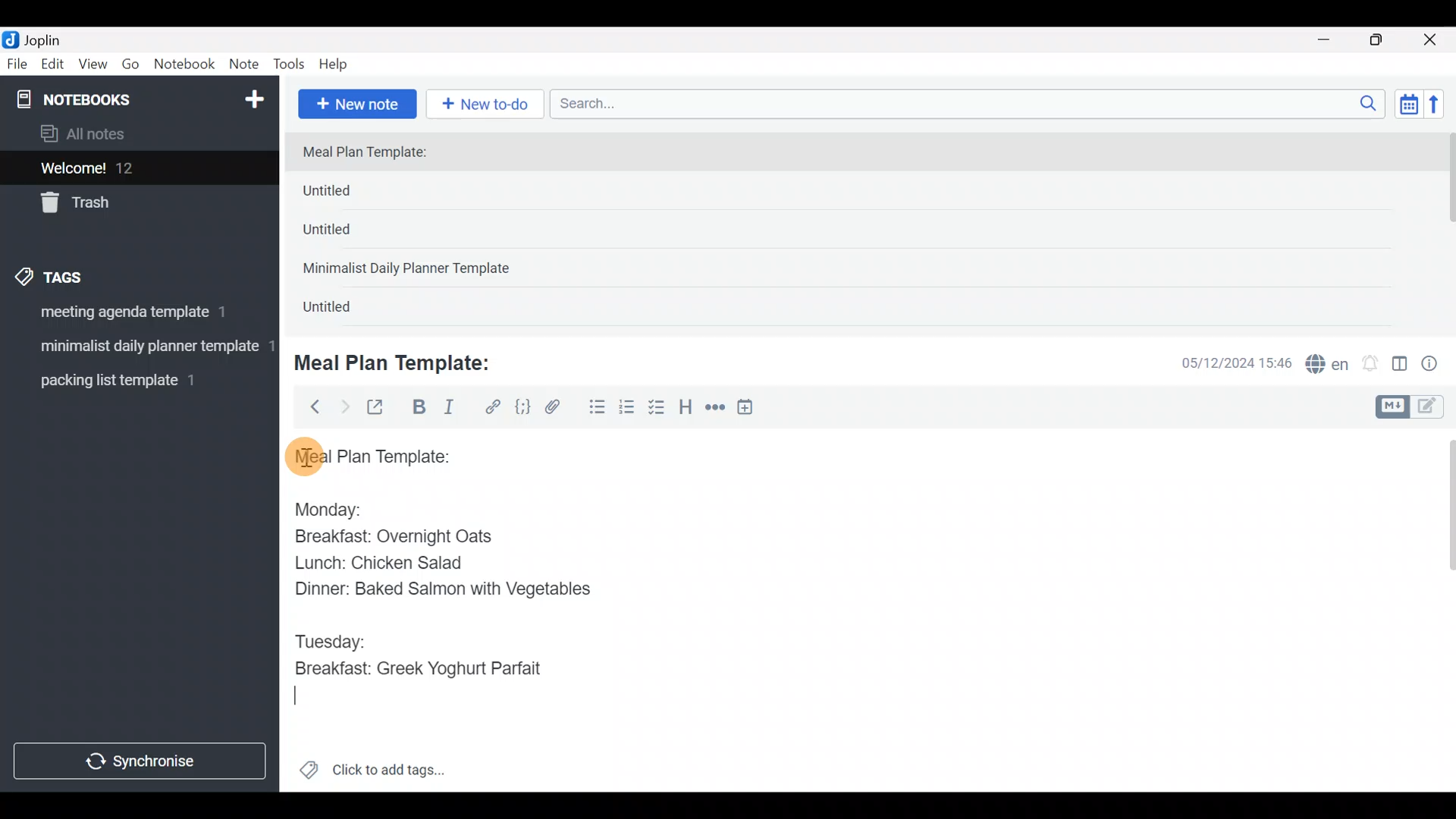 This screenshot has height=819, width=1456. I want to click on New note, so click(356, 102).